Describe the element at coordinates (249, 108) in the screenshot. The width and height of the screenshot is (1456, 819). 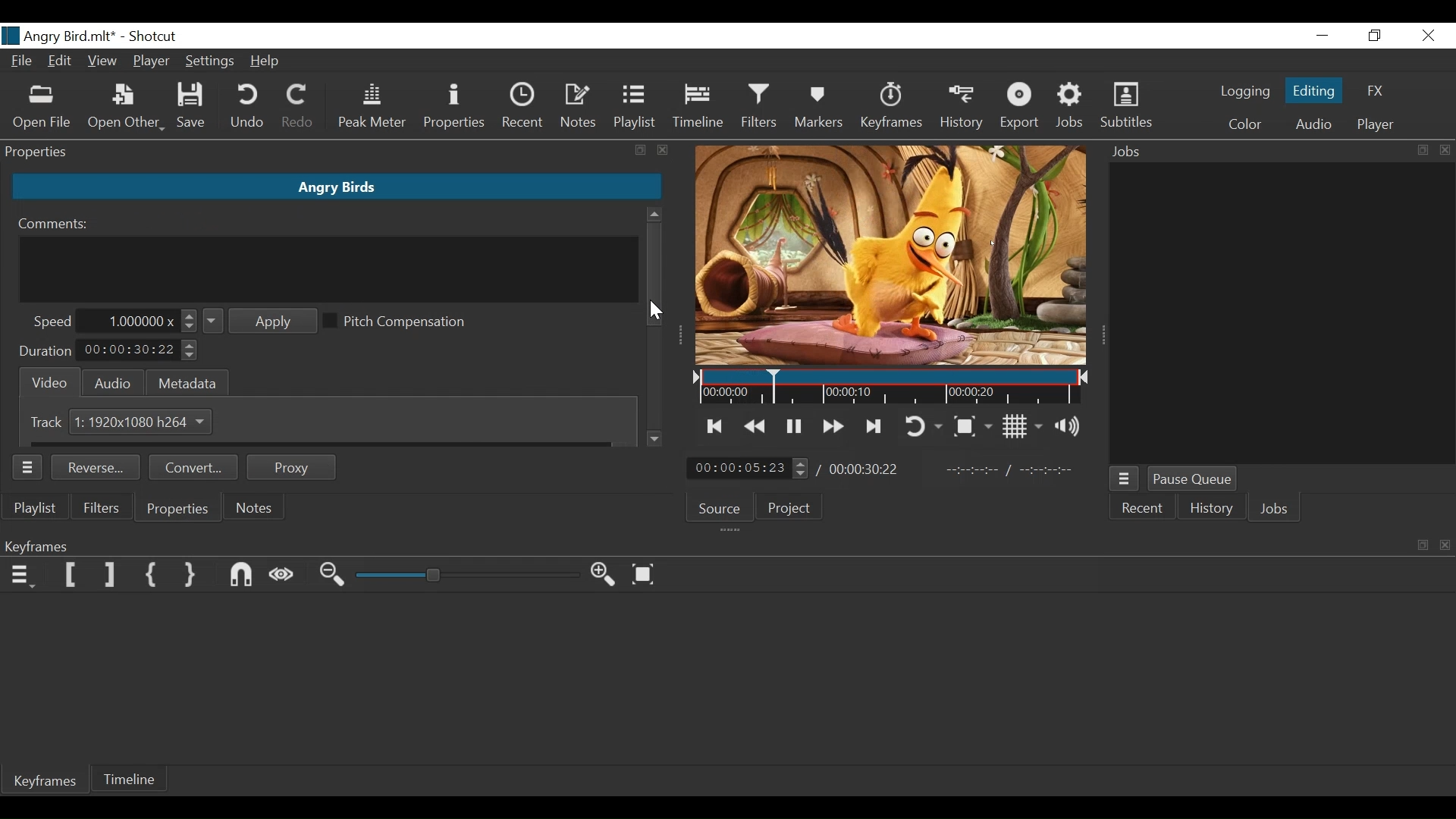
I see `Undo` at that location.